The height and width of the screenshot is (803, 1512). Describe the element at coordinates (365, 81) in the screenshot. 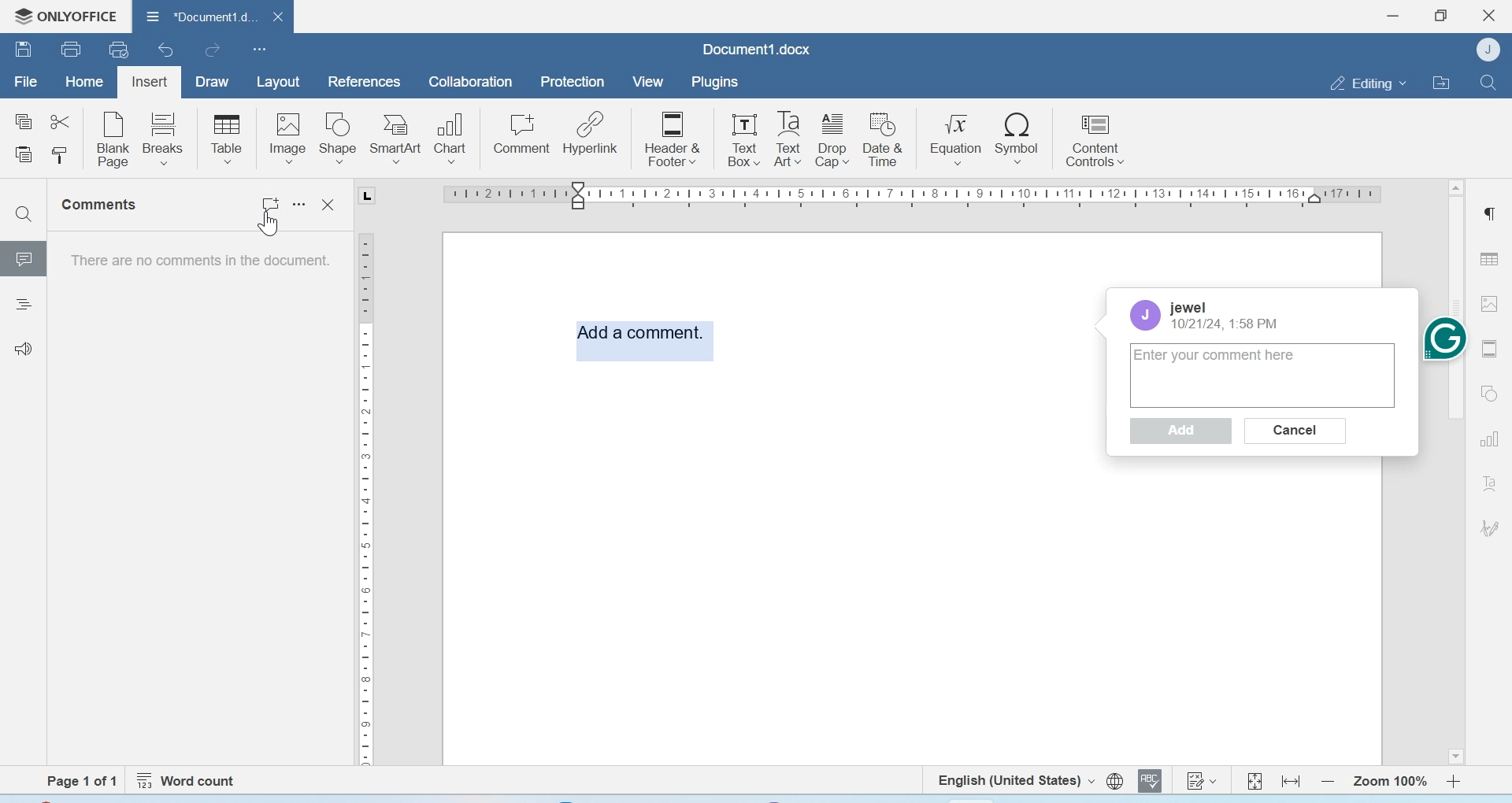

I see `References` at that location.